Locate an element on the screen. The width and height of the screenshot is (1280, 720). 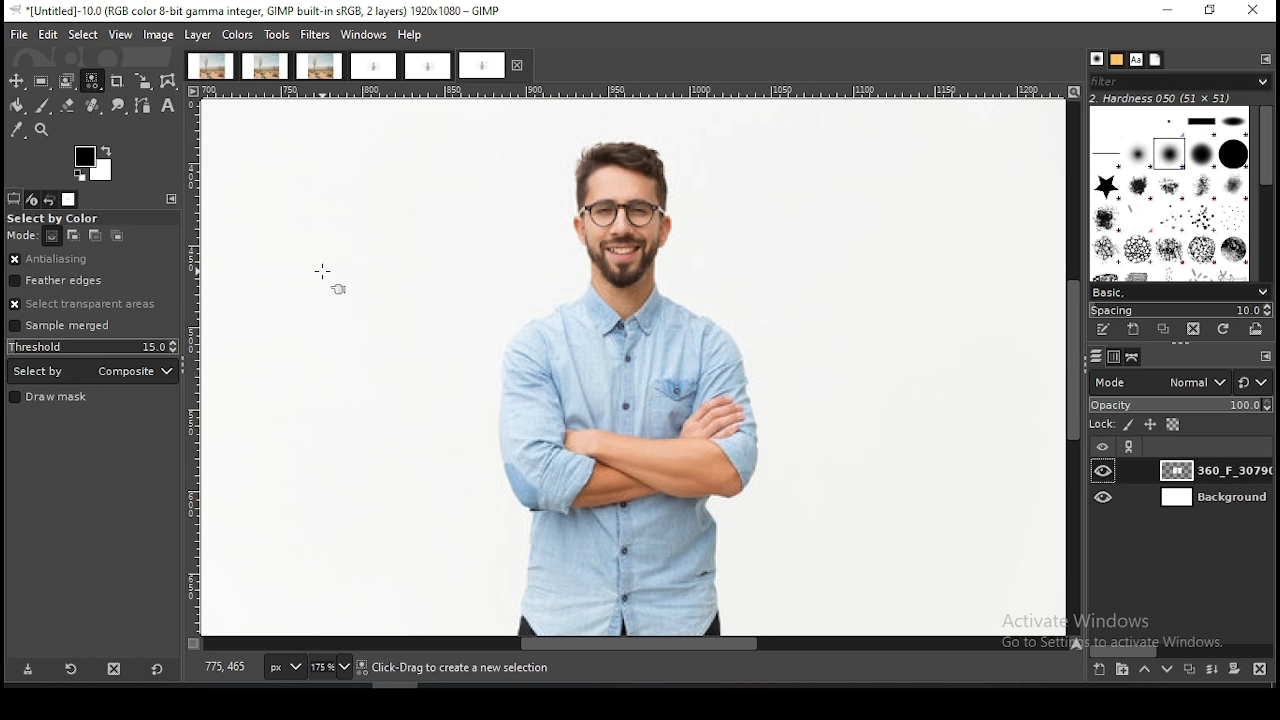
hardness 050 (51x51) is located at coordinates (1161, 98).